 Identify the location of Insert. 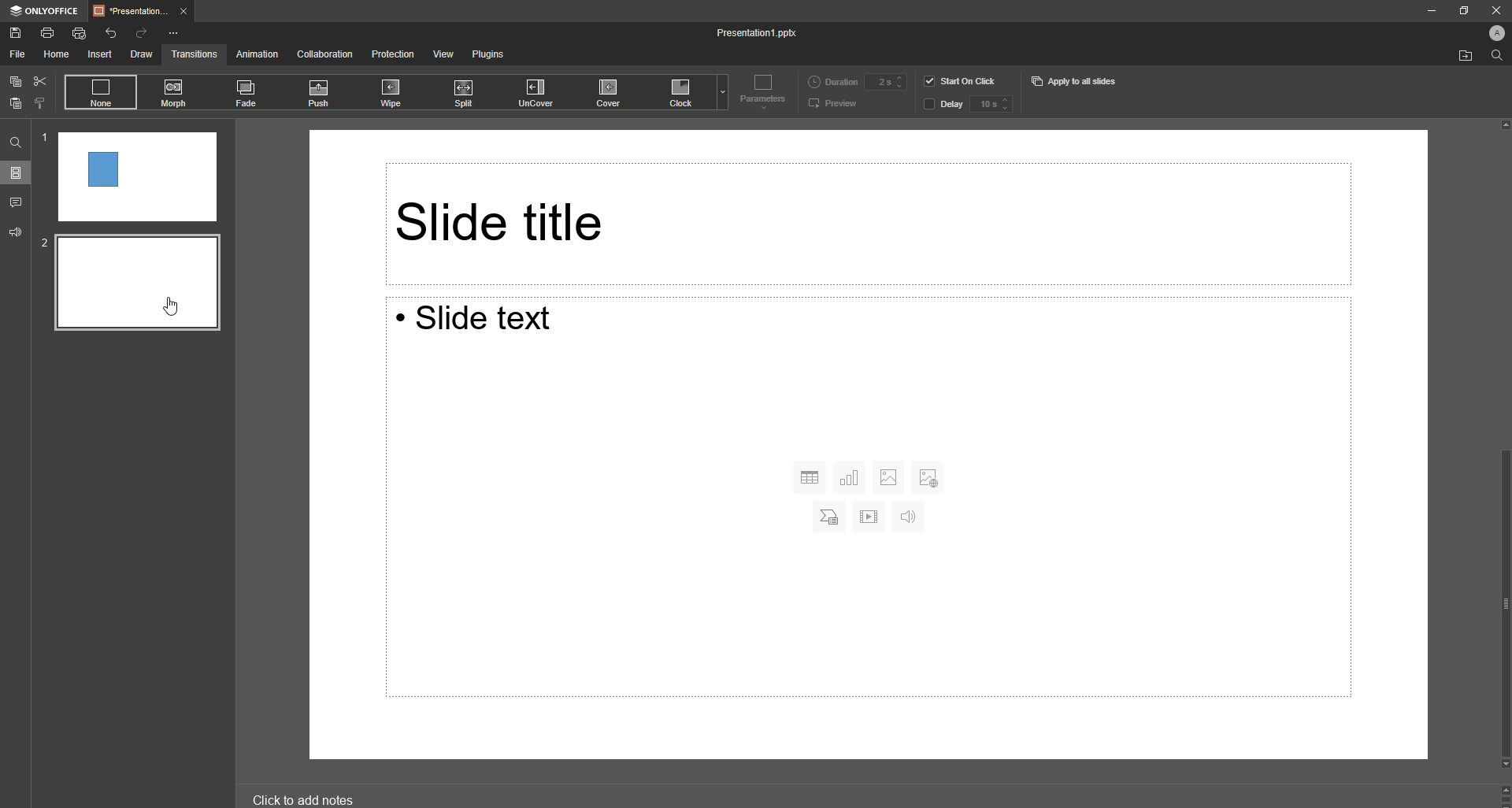
(98, 54).